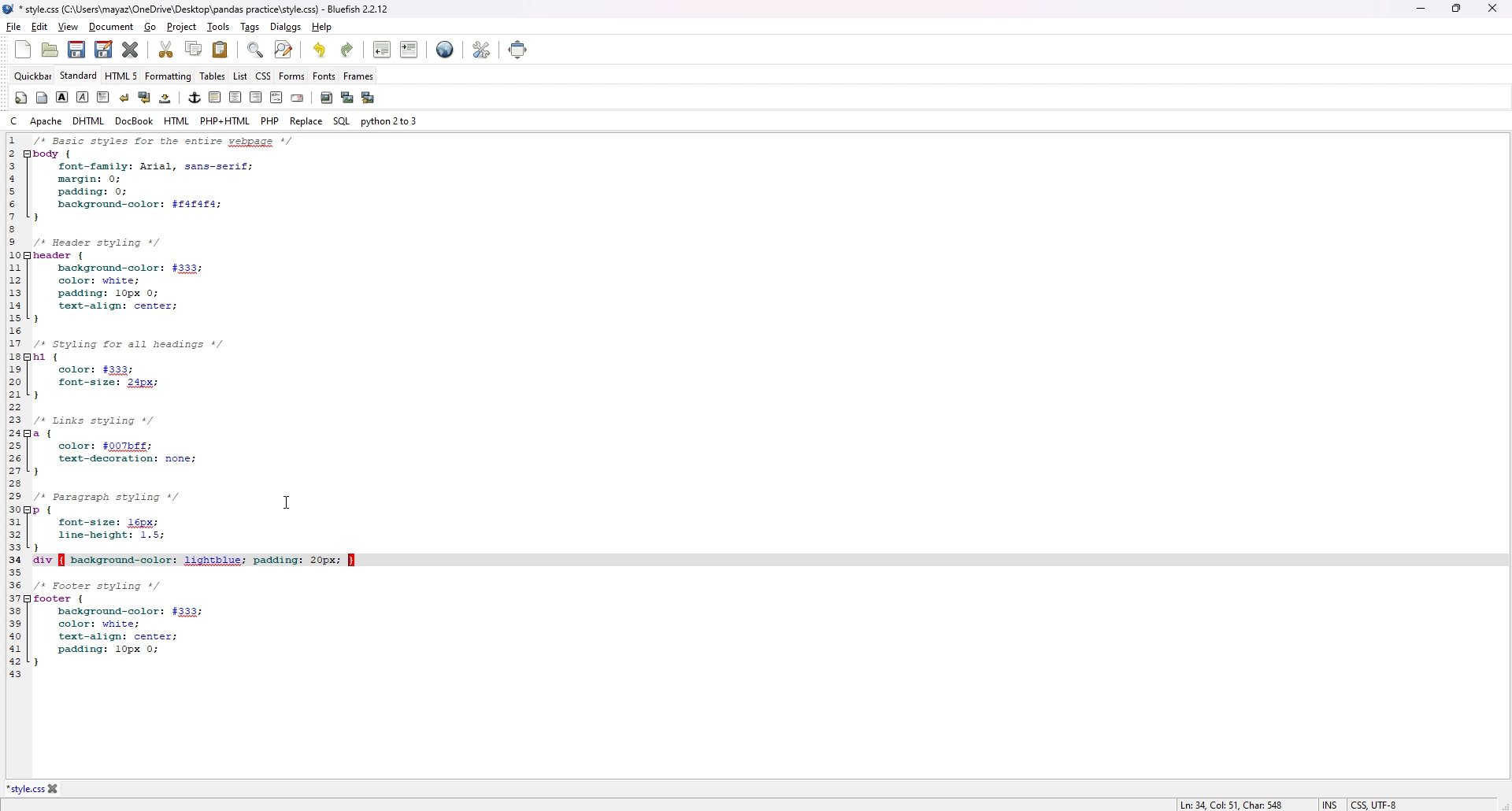 The height and width of the screenshot is (811, 1512). I want to click on INS, so click(1332, 803).